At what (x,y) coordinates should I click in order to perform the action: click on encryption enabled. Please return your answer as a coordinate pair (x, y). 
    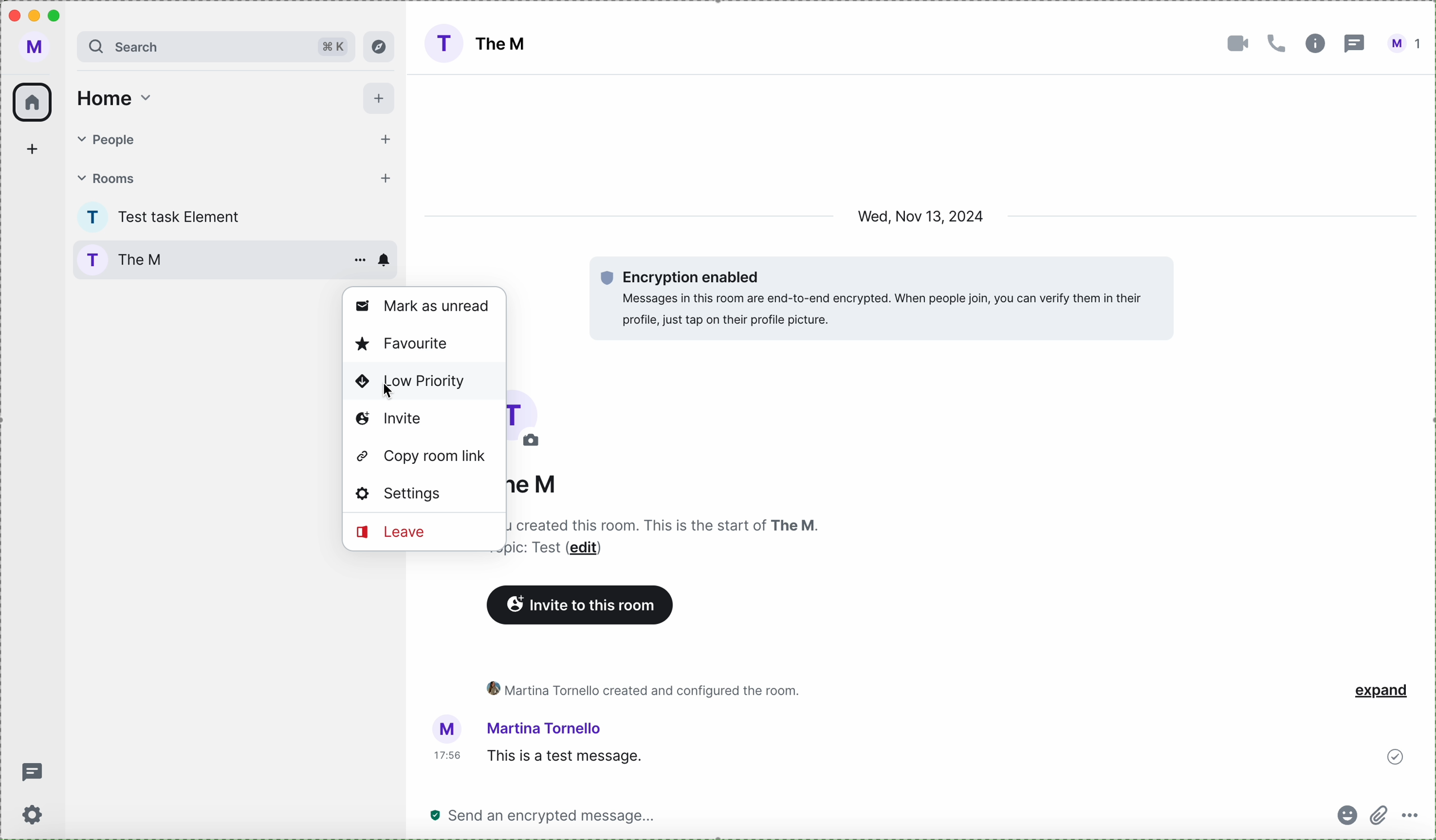
    Looking at the image, I should click on (879, 297).